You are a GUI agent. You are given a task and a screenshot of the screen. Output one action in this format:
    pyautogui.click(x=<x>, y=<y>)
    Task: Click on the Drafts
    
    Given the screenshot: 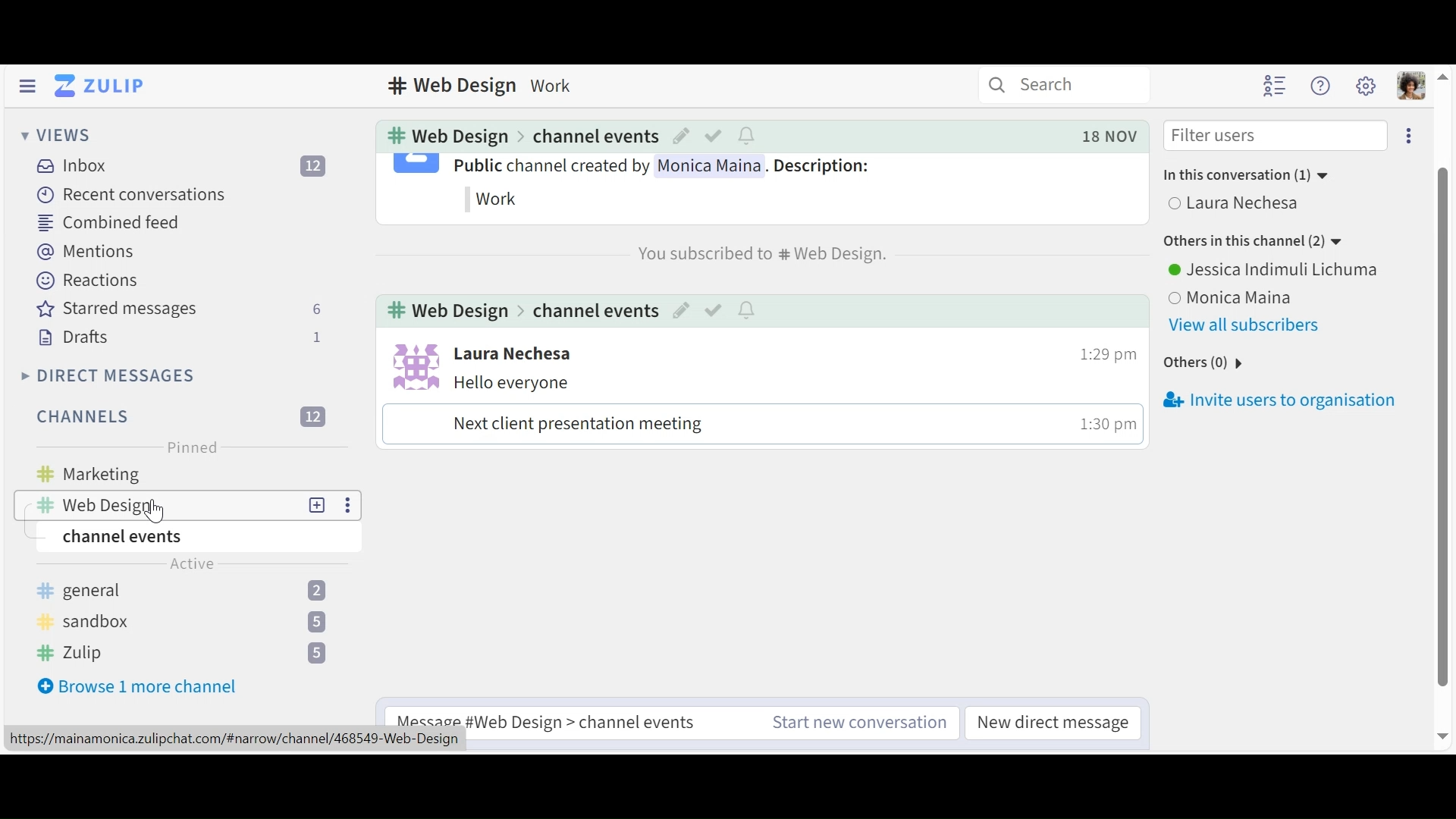 What is the action you would take?
    pyautogui.click(x=180, y=337)
    